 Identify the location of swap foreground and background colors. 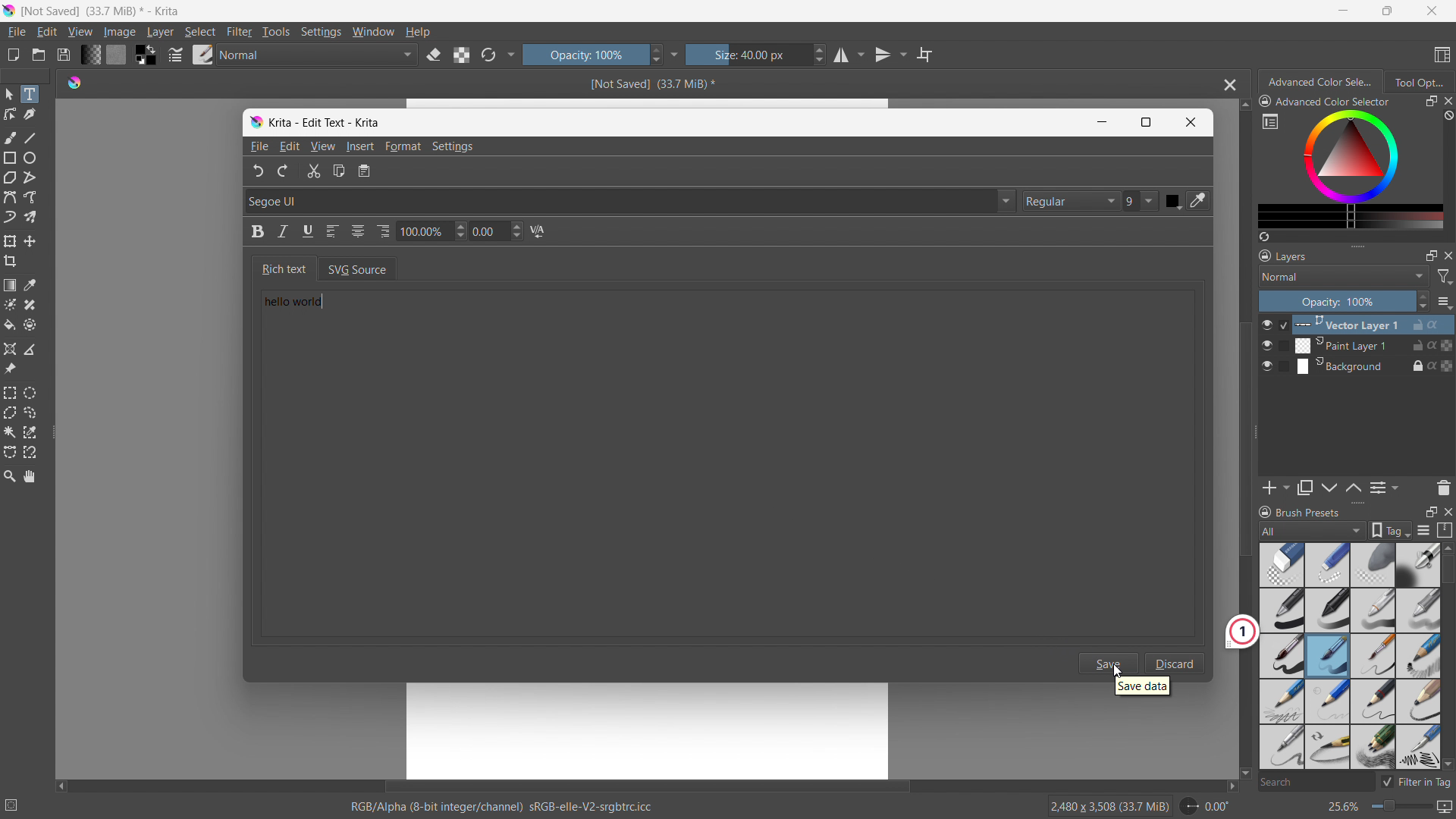
(146, 55).